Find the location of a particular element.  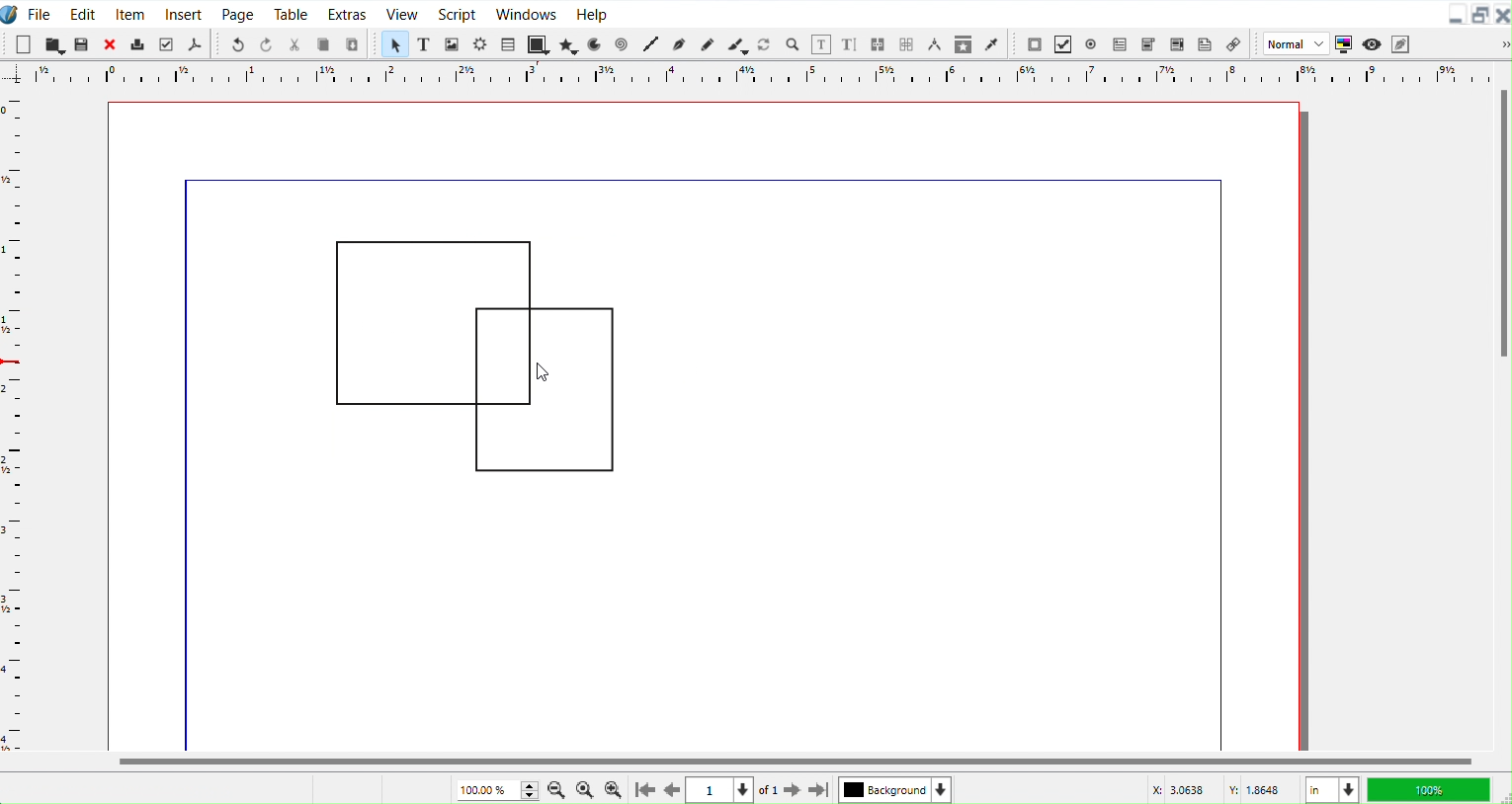

New is located at coordinates (23, 43).